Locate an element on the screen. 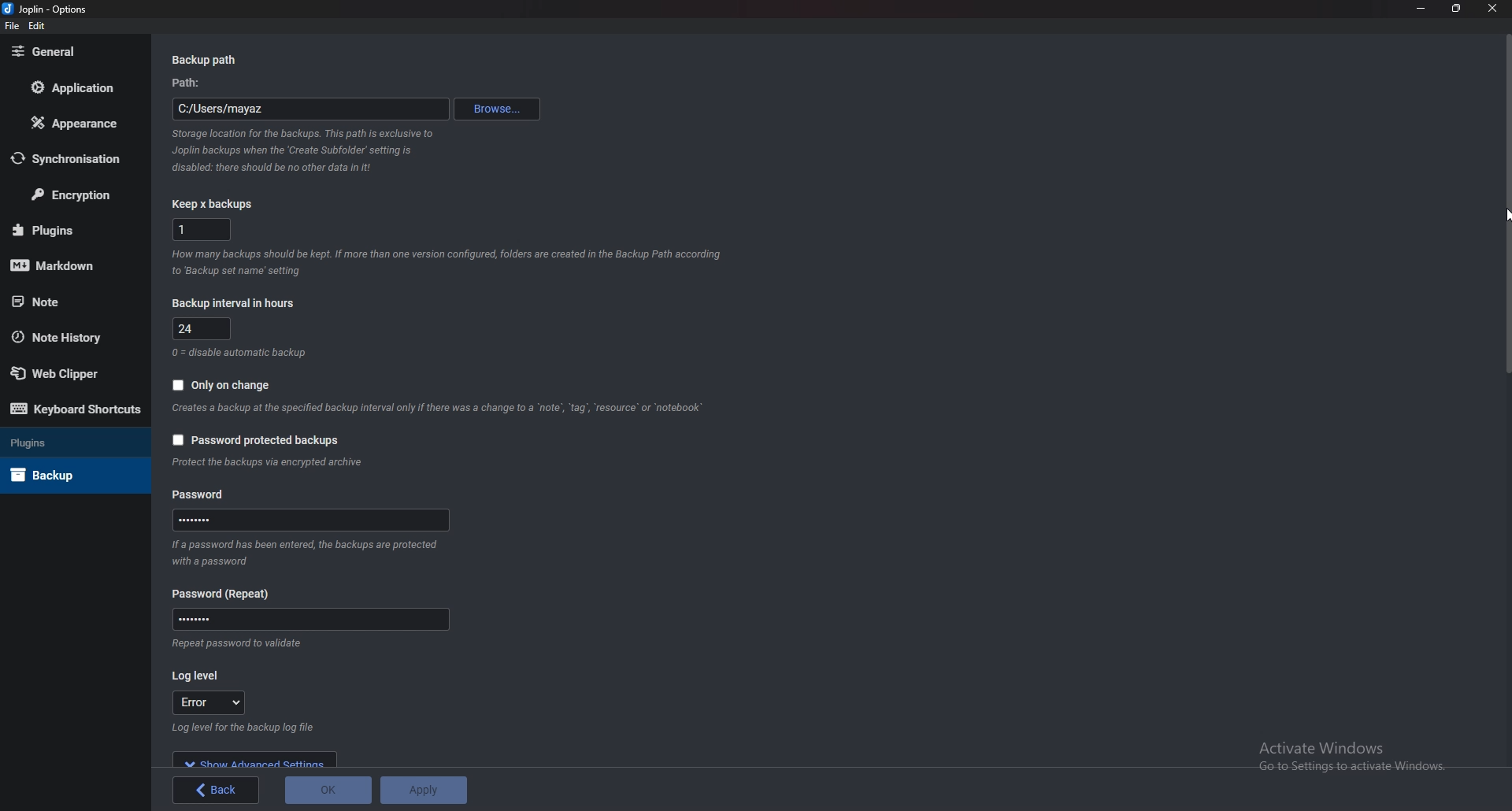 The image size is (1512, 811). Appearance is located at coordinates (79, 121).